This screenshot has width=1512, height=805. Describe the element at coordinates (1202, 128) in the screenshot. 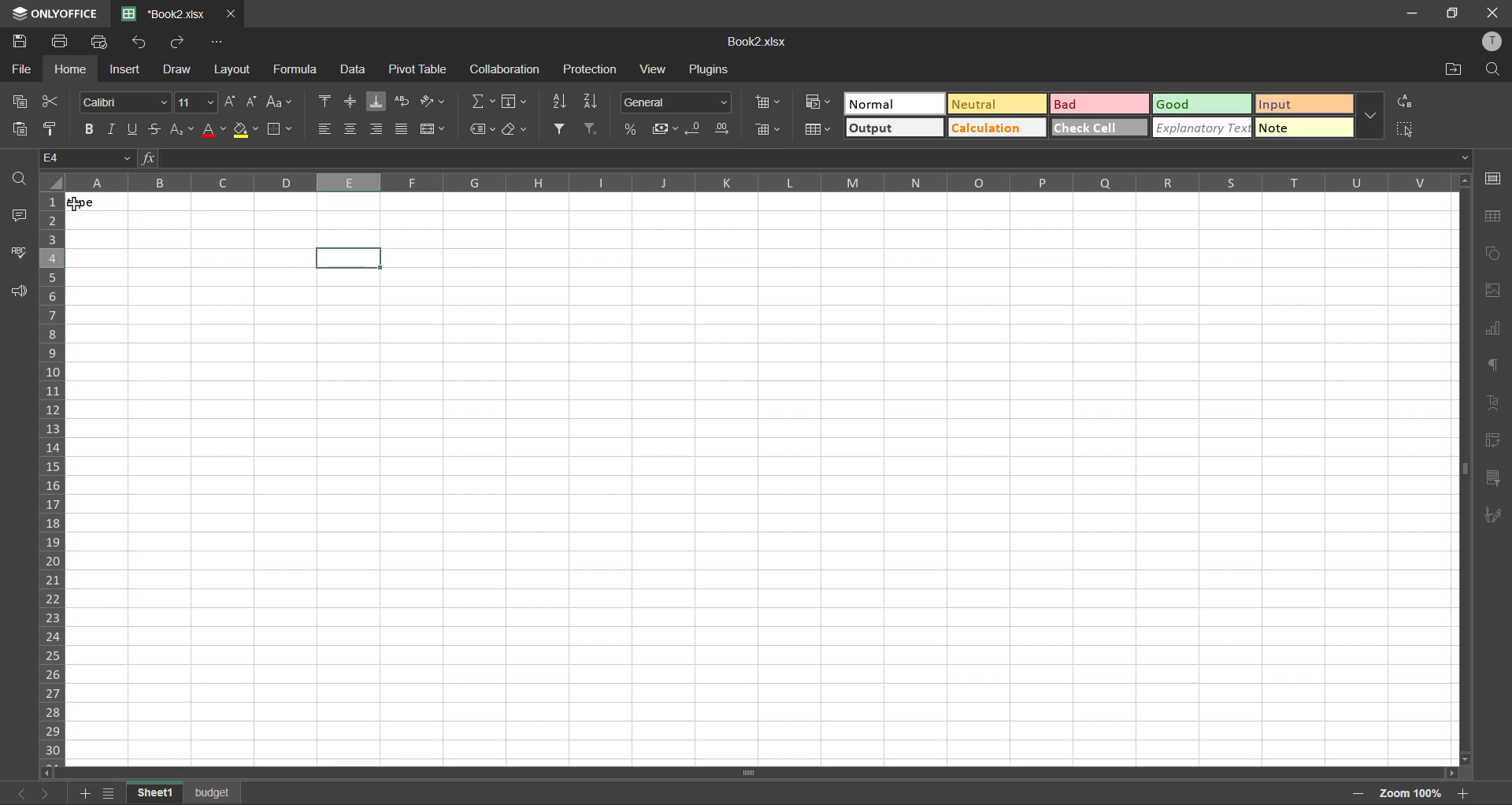

I see `explanatory text` at that location.